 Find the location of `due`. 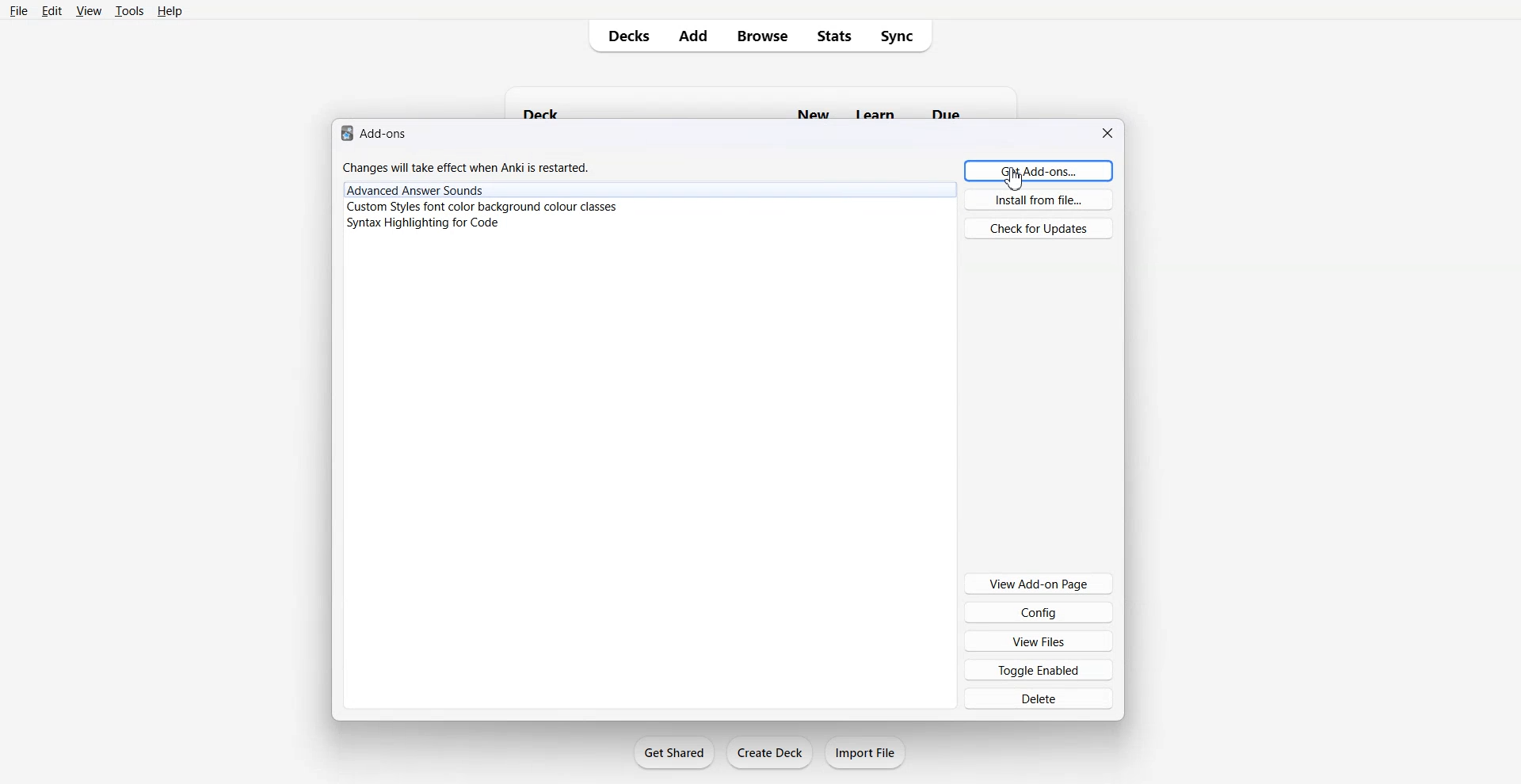

due is located at coordinates (948, 112).